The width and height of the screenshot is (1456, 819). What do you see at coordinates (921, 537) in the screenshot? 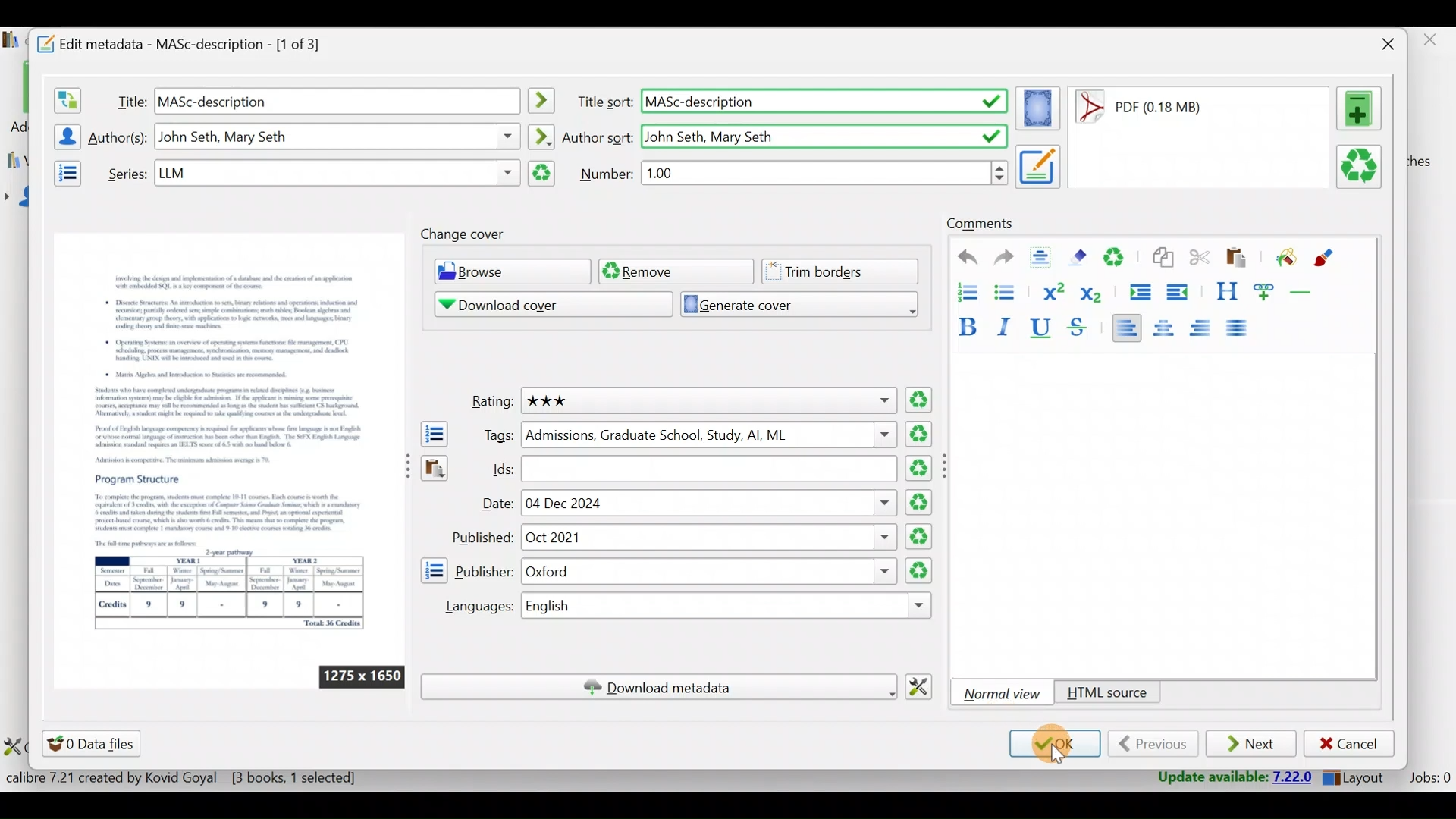
I see `Clear date` at bounding box center [921, 537].